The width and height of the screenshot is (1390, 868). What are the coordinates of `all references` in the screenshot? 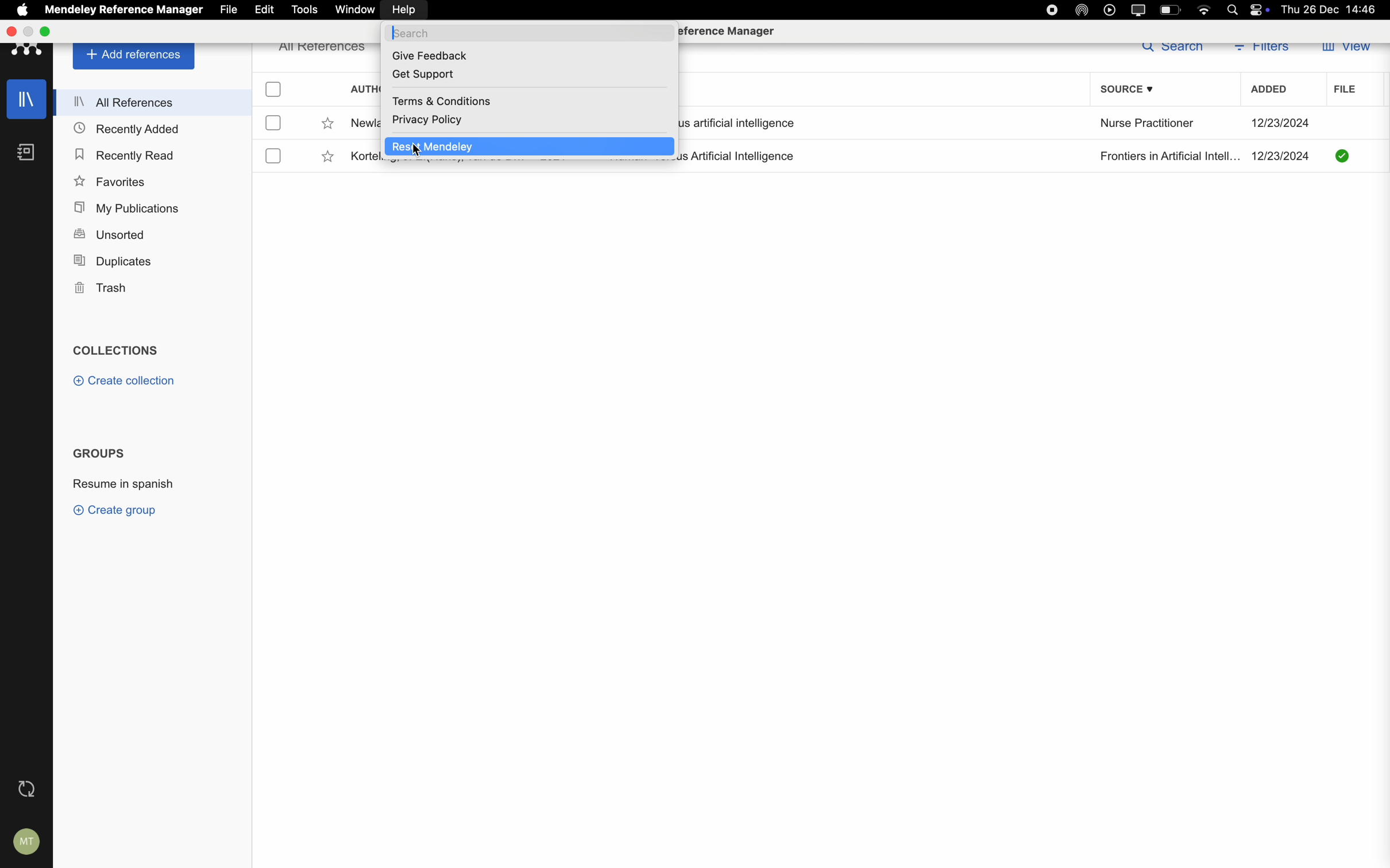 It's located at (322, 47).